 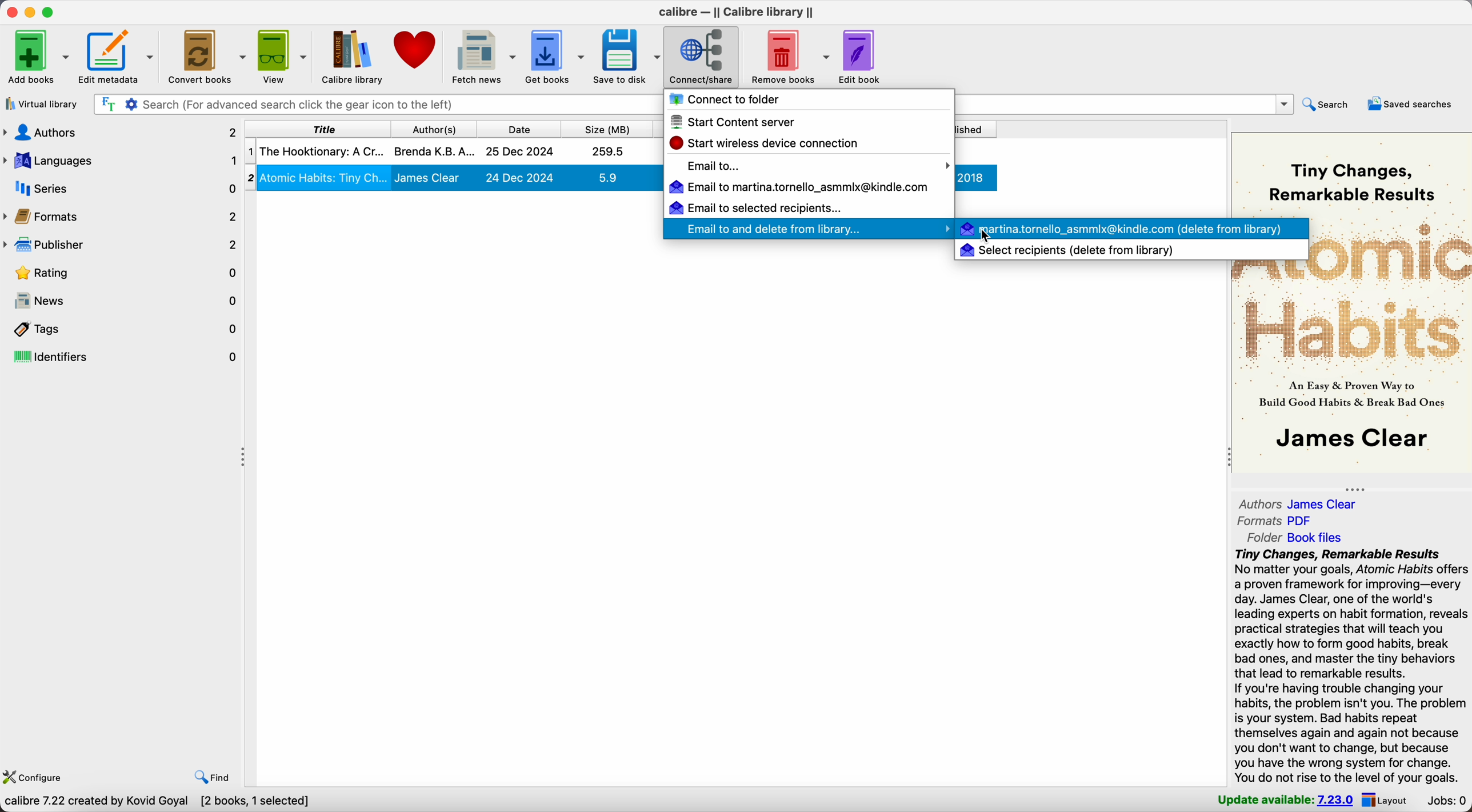 What do you see at coordinates (1123, 228) in the screenshot?
I see `| martina.tornello_asmmix@kindle.com (delete from library)` at bounding box center [1123, 228].